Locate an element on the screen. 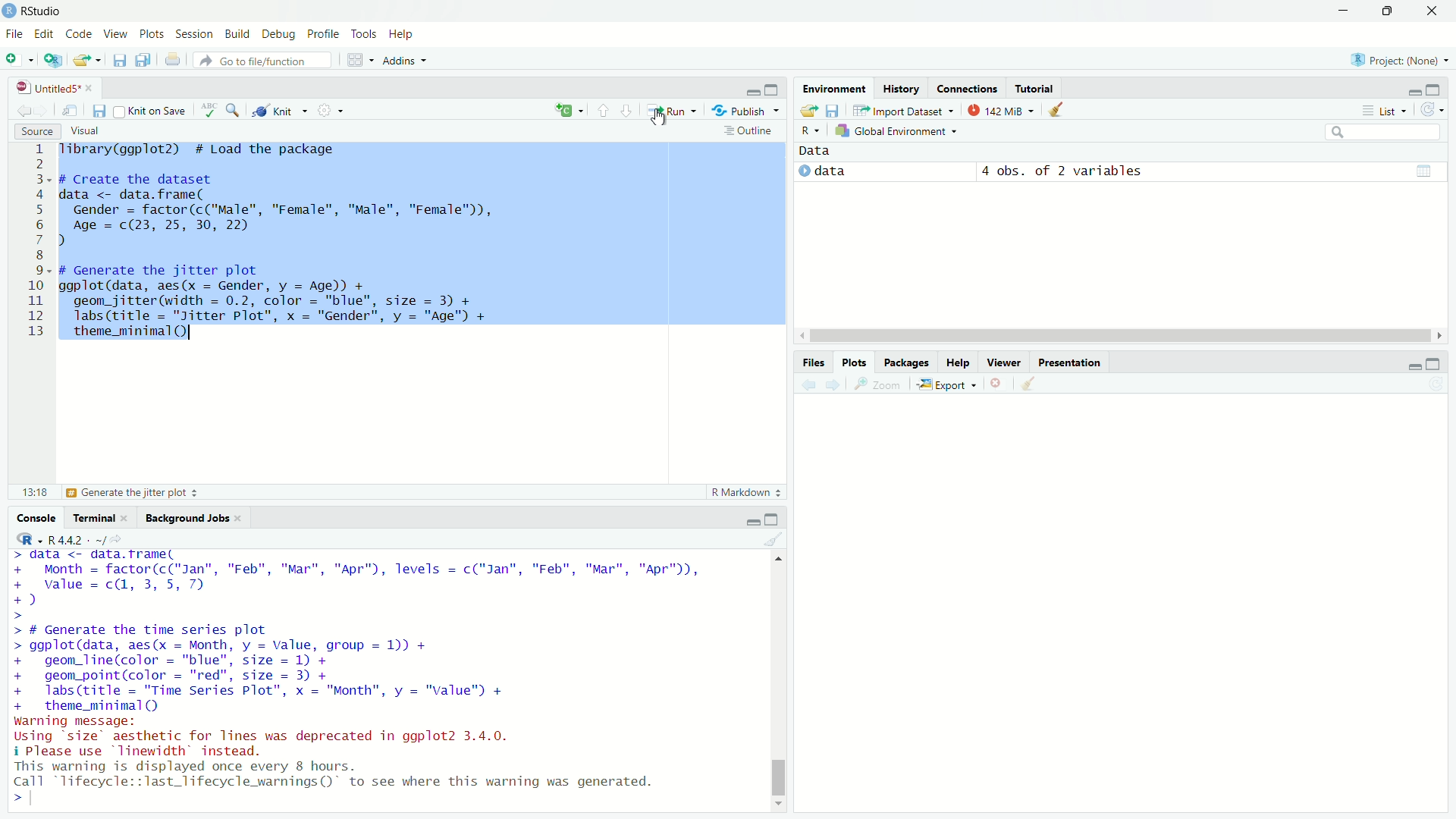 The height and width of the screenshot is (819, 1456). presentation is located at coordinates (1069, 362).